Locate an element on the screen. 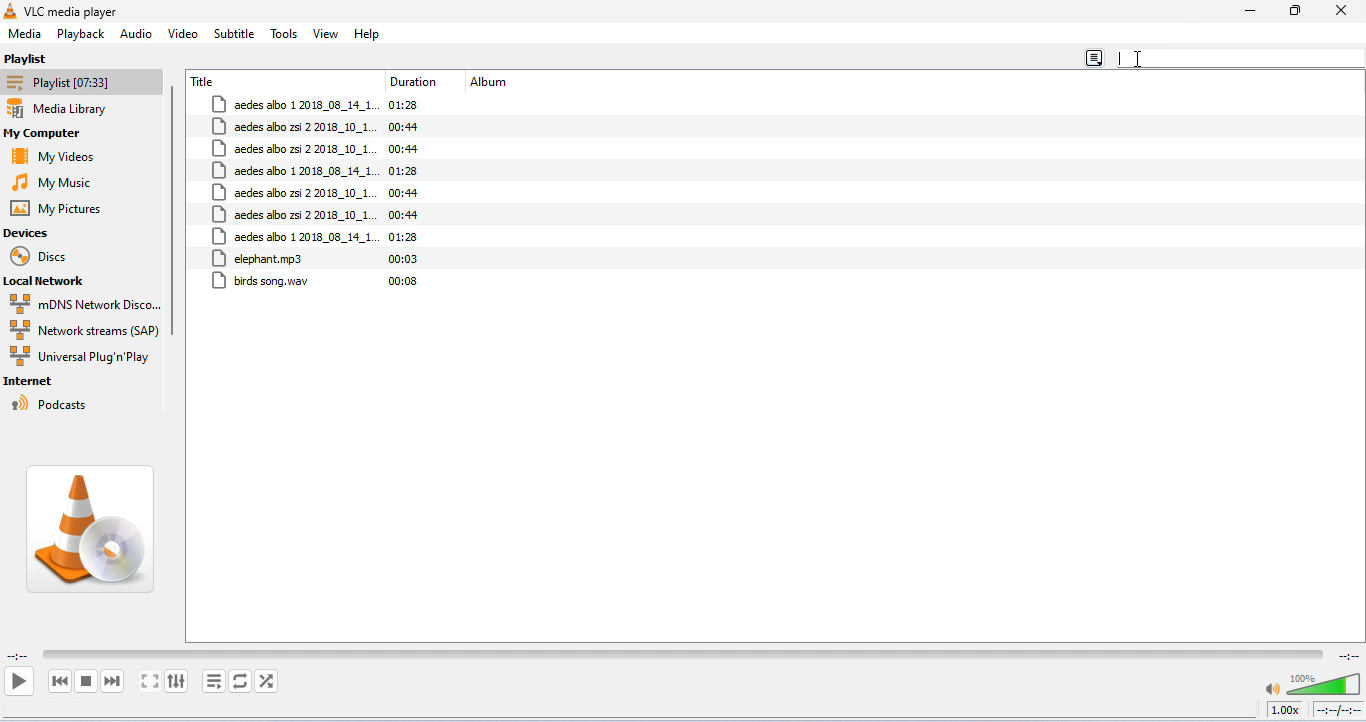 The width and height of the screenshot is (1366, 722). my videos is located at coordinates (59, 156).